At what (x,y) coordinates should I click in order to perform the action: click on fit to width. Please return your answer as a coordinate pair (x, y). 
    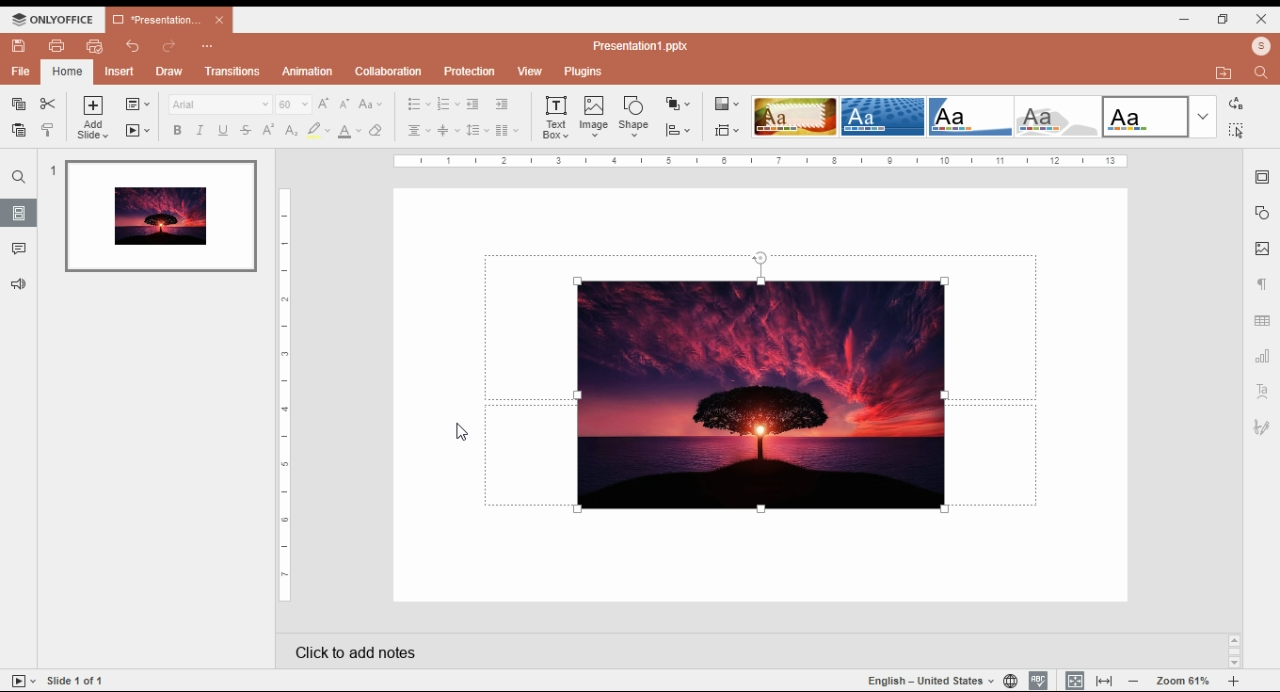
    Looking at the image, I should click on (1105, 680).